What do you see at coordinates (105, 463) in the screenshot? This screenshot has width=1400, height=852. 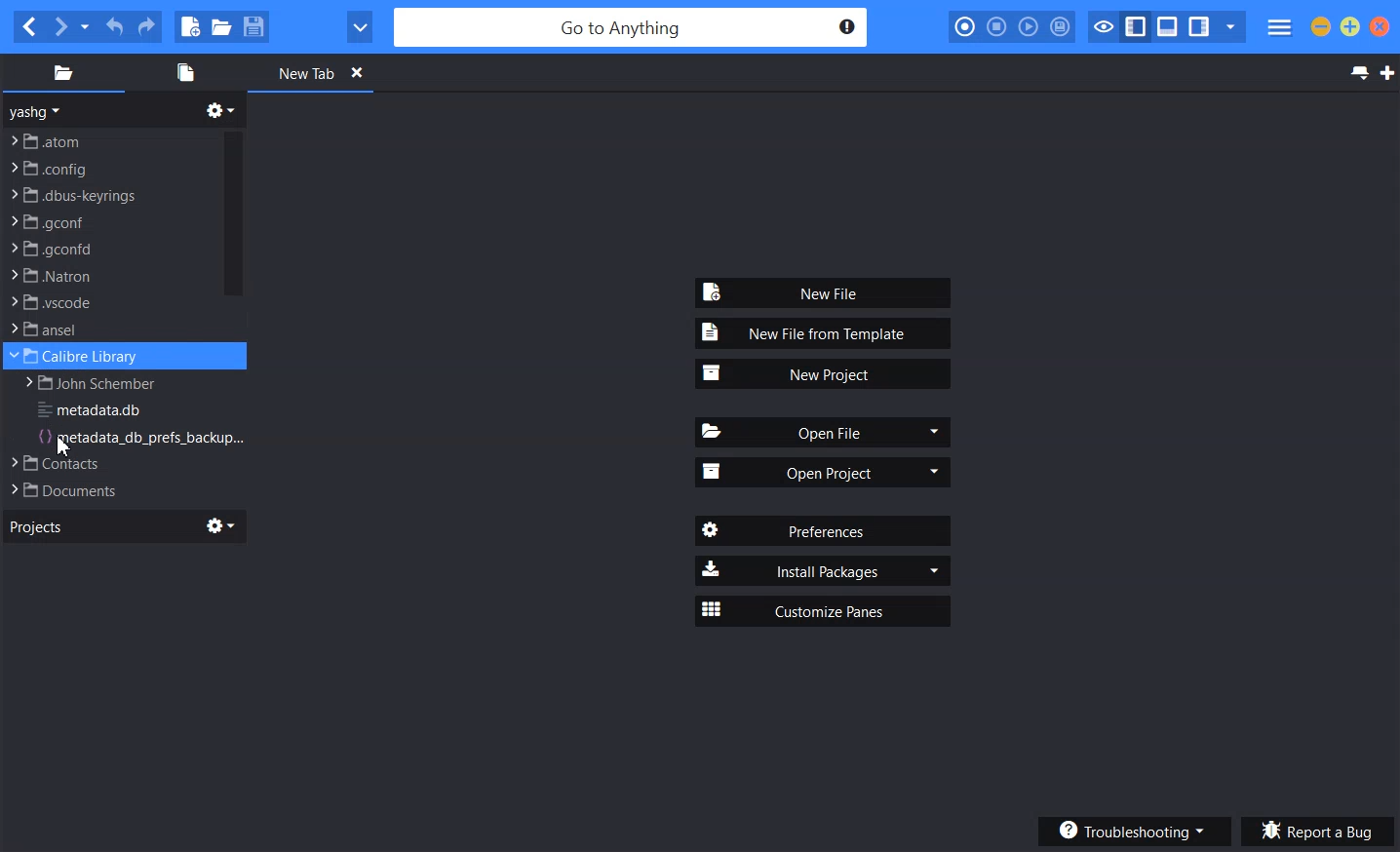 I see `File` at bounding box center [105, 463].